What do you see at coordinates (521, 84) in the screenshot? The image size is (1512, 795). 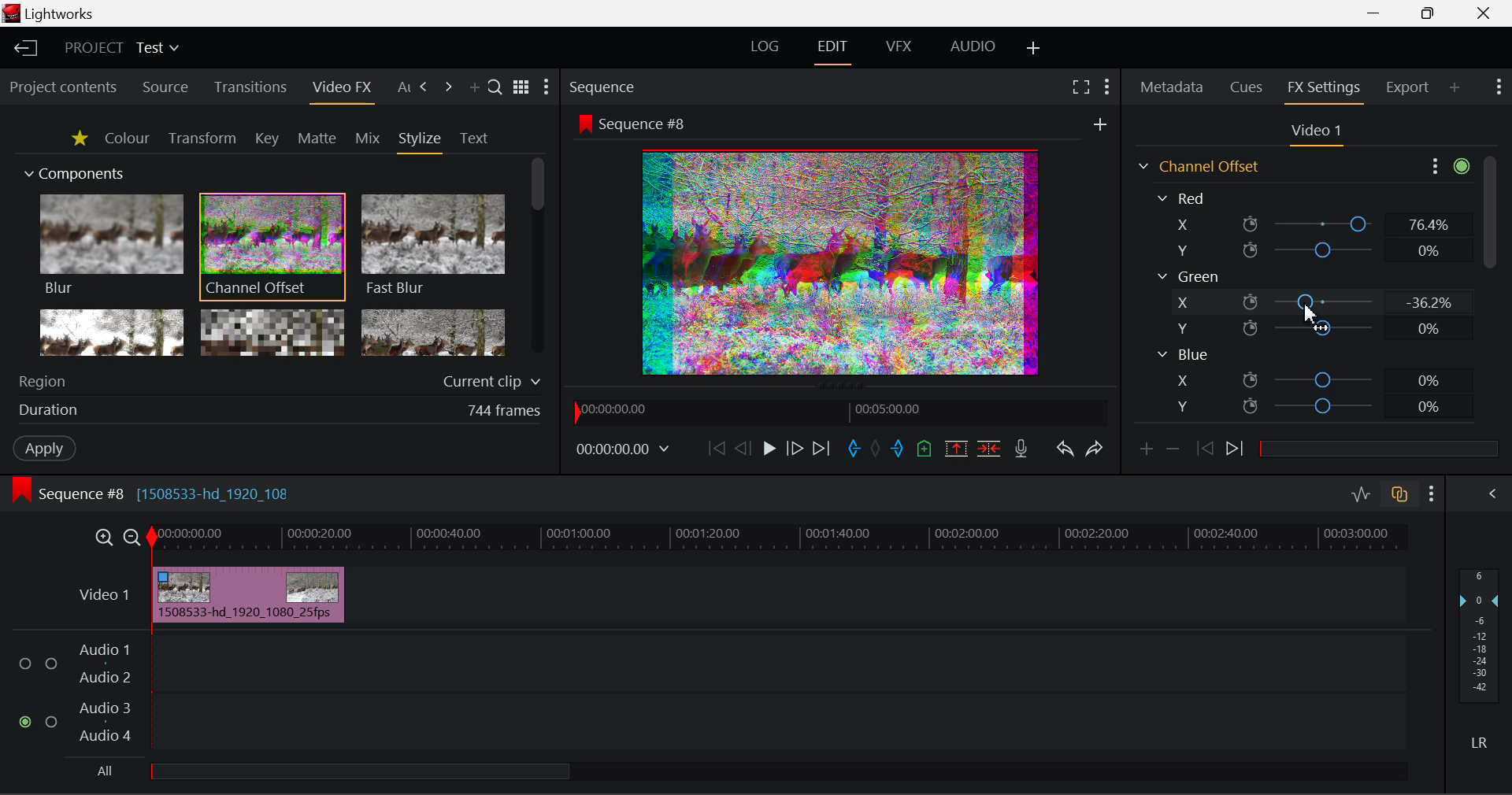 I see `Toggle between title and list view` at bounding box center [521, 84].